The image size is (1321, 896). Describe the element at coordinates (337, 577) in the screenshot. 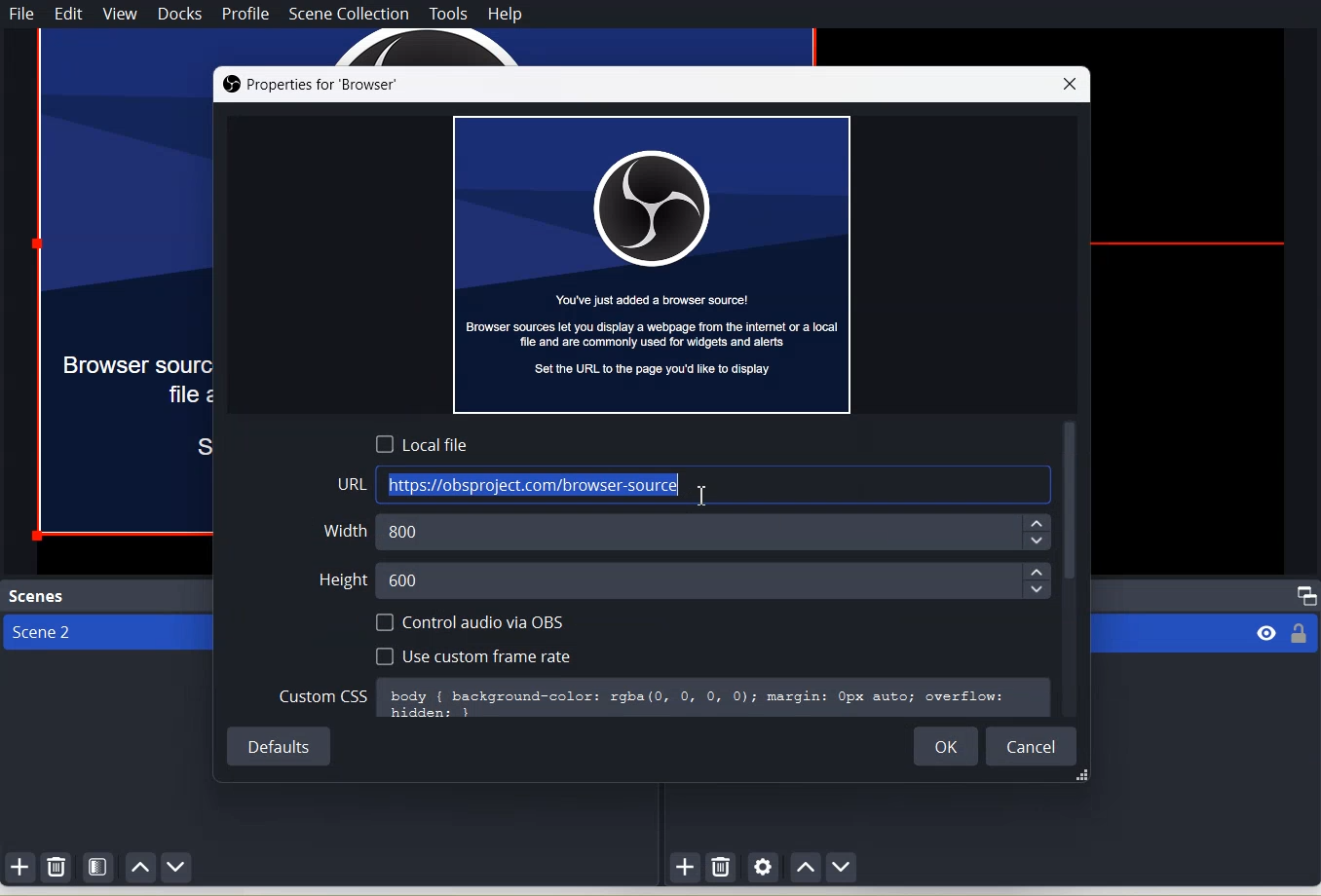

I see `Height` at that location.